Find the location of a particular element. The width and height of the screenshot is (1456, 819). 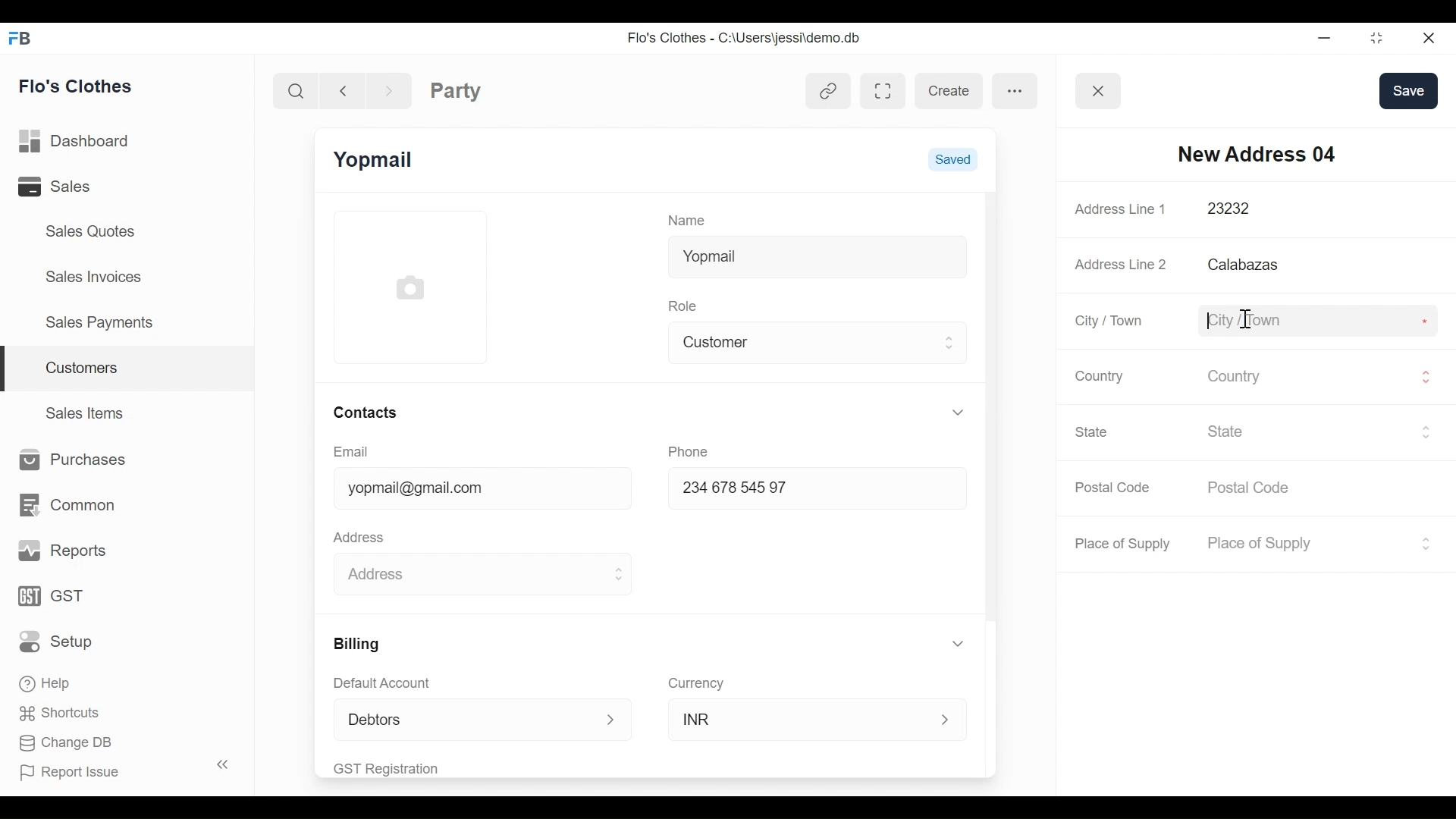

Address is located at coordinates (465, 571).